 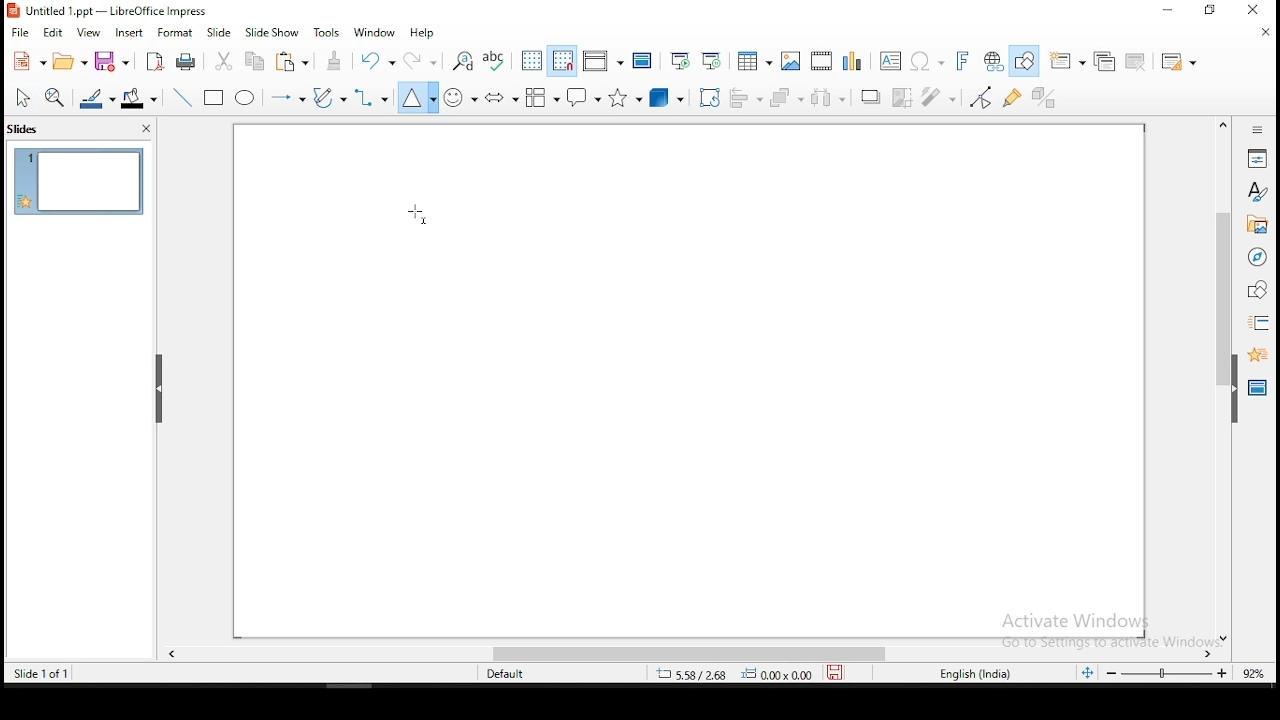 What do you see at coordinates (514, 674) in the screenshot?
I see `Default` at bounding box center [514, 674].